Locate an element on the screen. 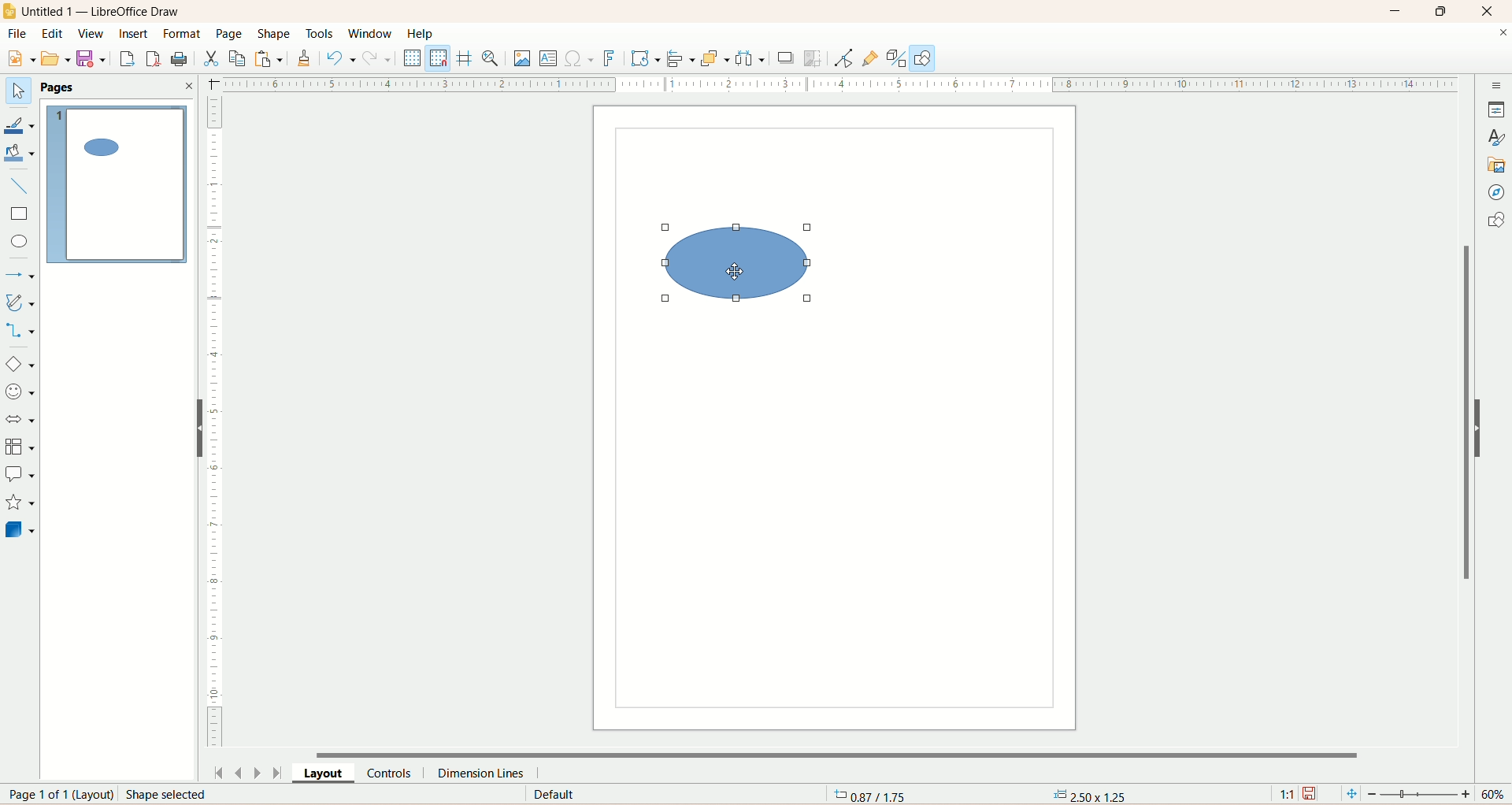 The width and height of the screenshot is (1512, 805). export is located at coordinates (128, 55).